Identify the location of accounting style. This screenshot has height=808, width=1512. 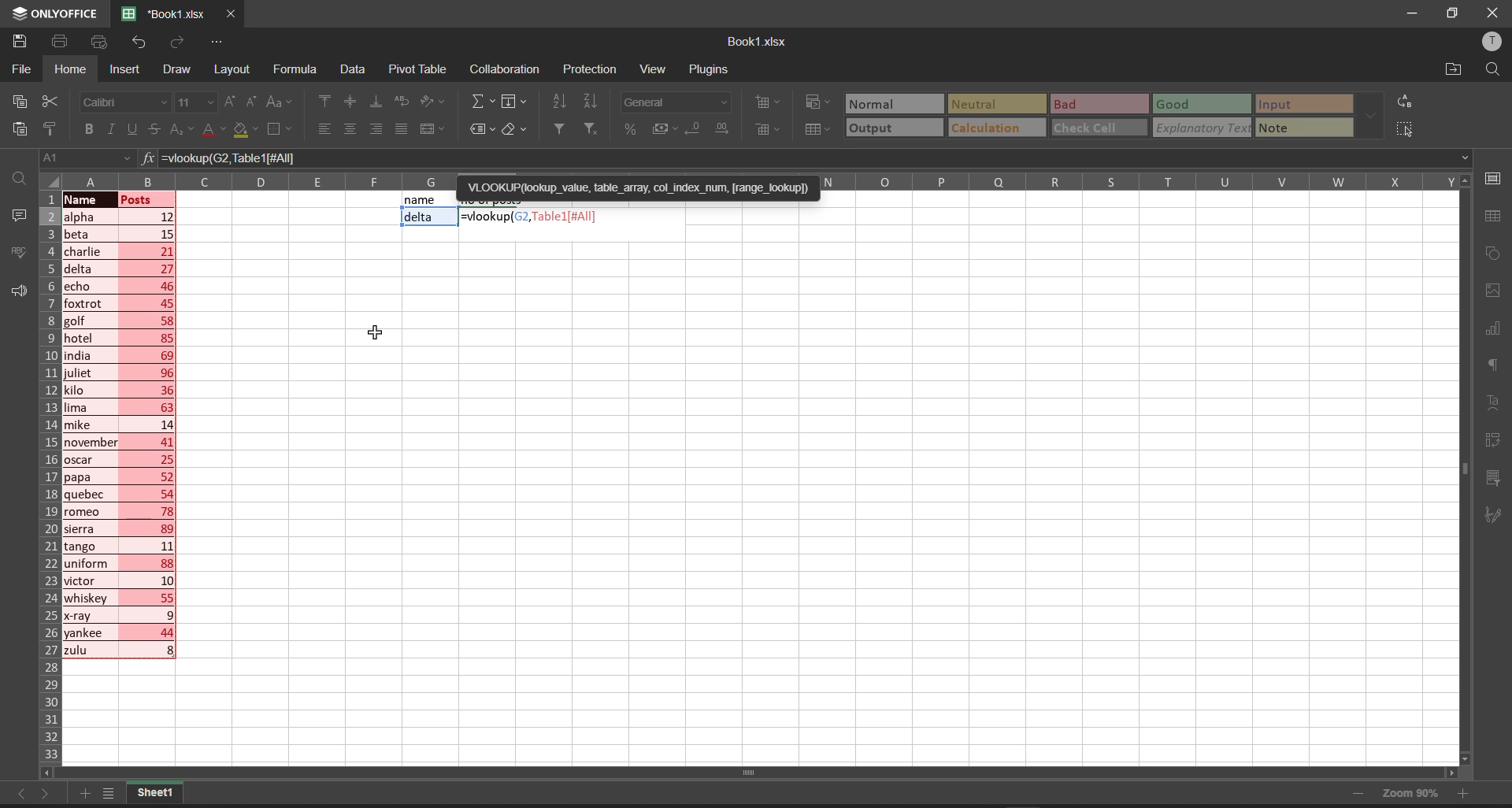
(658, 128).